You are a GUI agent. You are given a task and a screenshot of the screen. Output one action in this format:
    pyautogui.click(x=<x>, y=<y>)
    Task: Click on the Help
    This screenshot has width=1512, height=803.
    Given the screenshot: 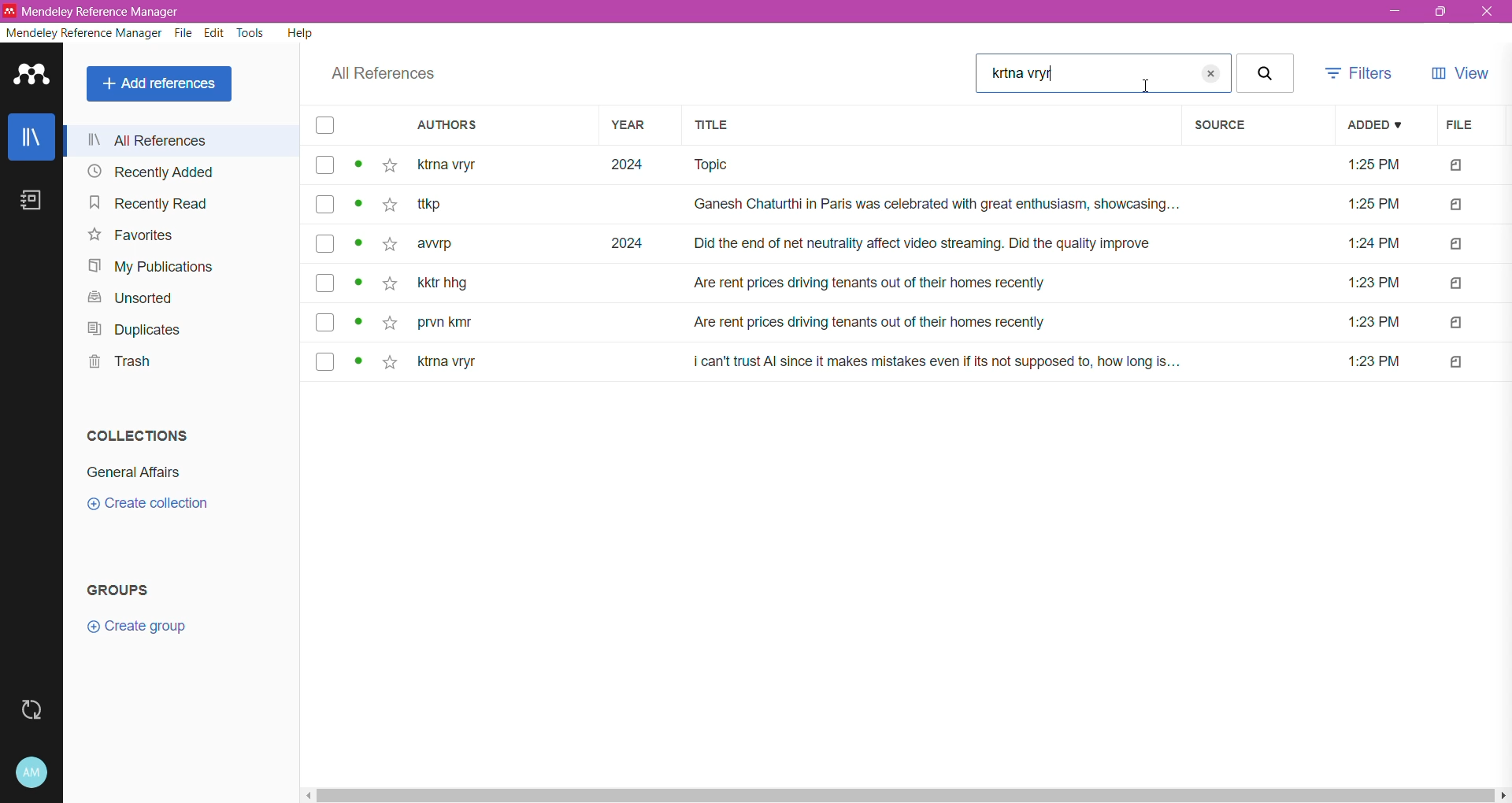 What is the action you would take?
    pyautogui.click(x=299, y=35)
    